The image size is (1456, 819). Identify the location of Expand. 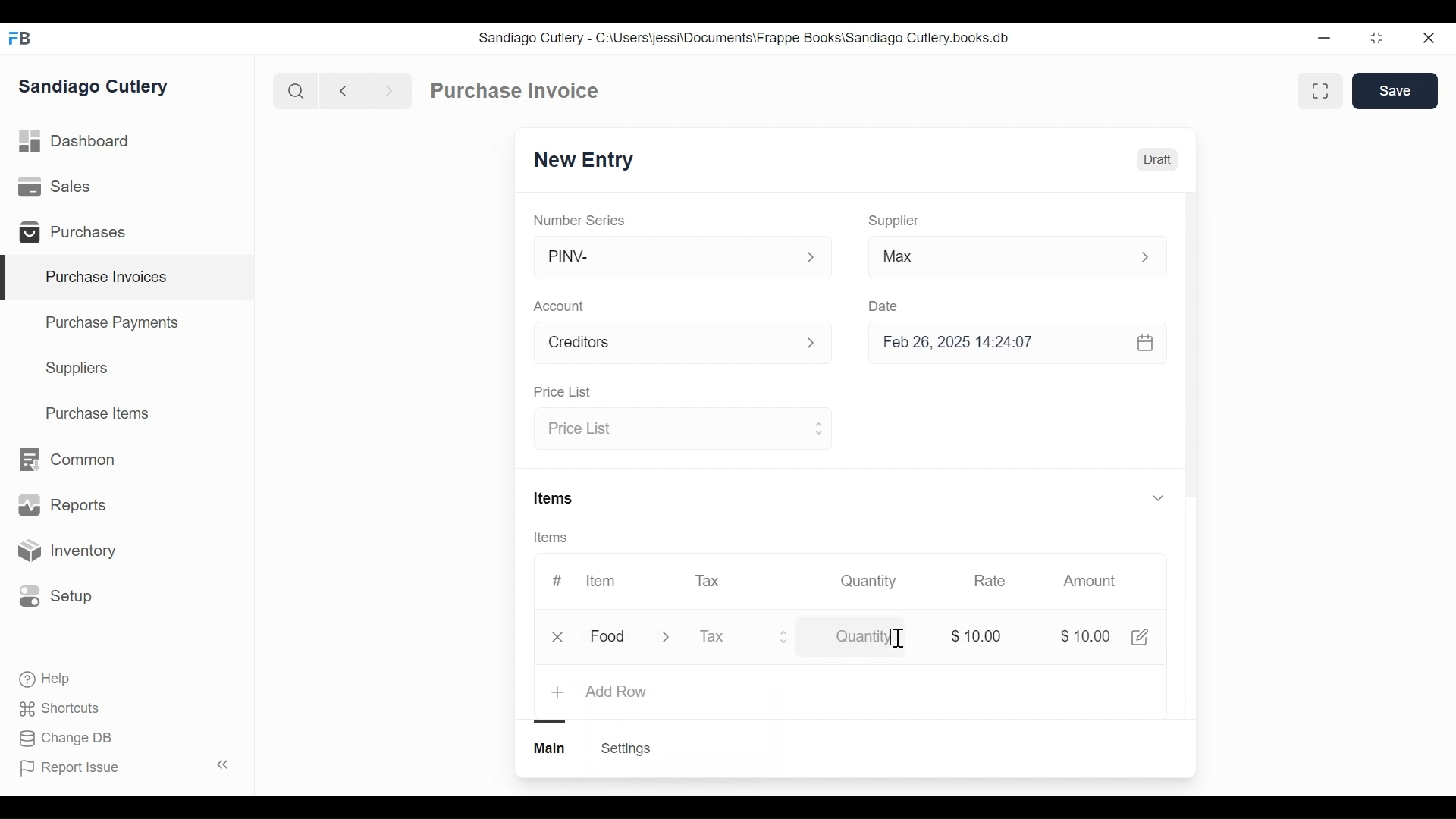
(785, 636).